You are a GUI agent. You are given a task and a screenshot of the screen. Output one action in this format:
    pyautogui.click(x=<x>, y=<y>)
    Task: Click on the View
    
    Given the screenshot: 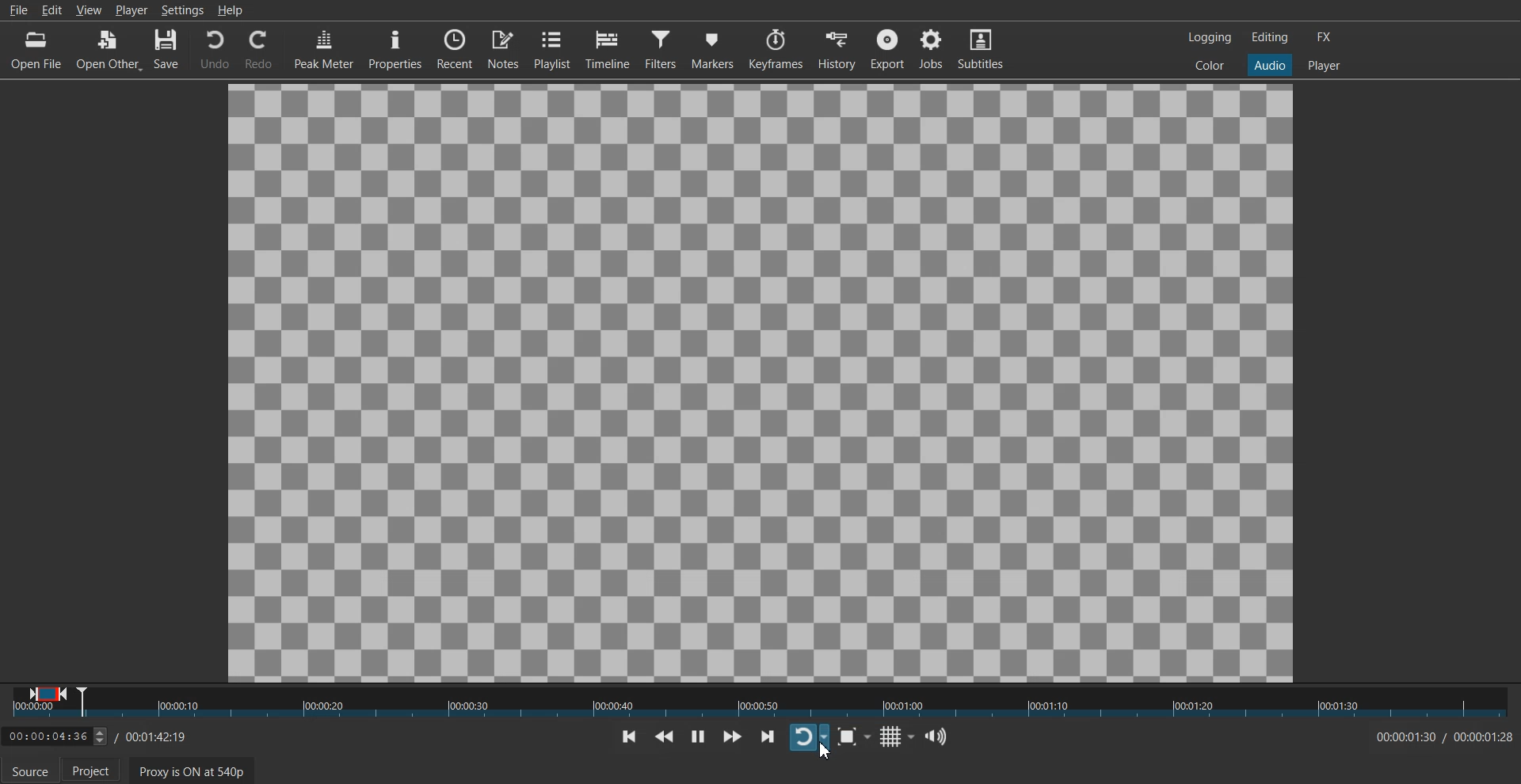 What is the action you would take?
    pyautogui.click(x=89, y=10)
    